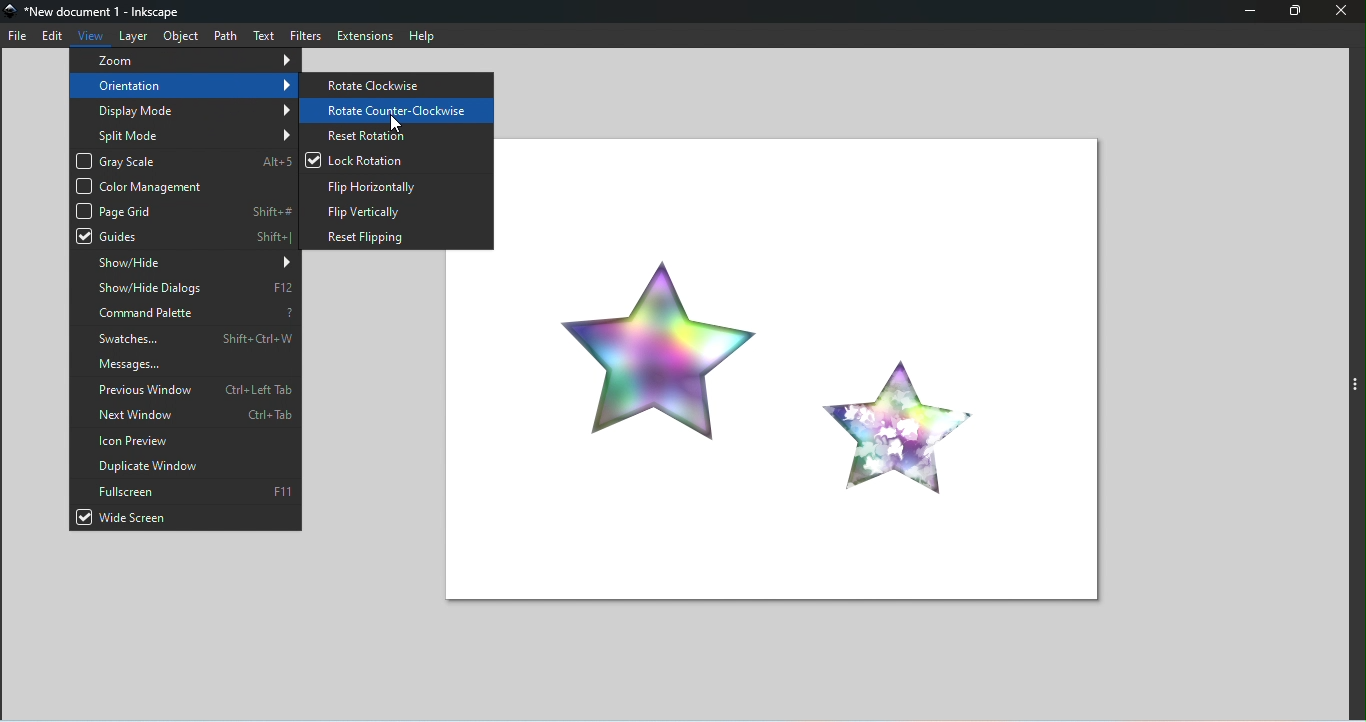 This screenshot has height=722, width=1366. I want to click on Object, so click(181, 36).